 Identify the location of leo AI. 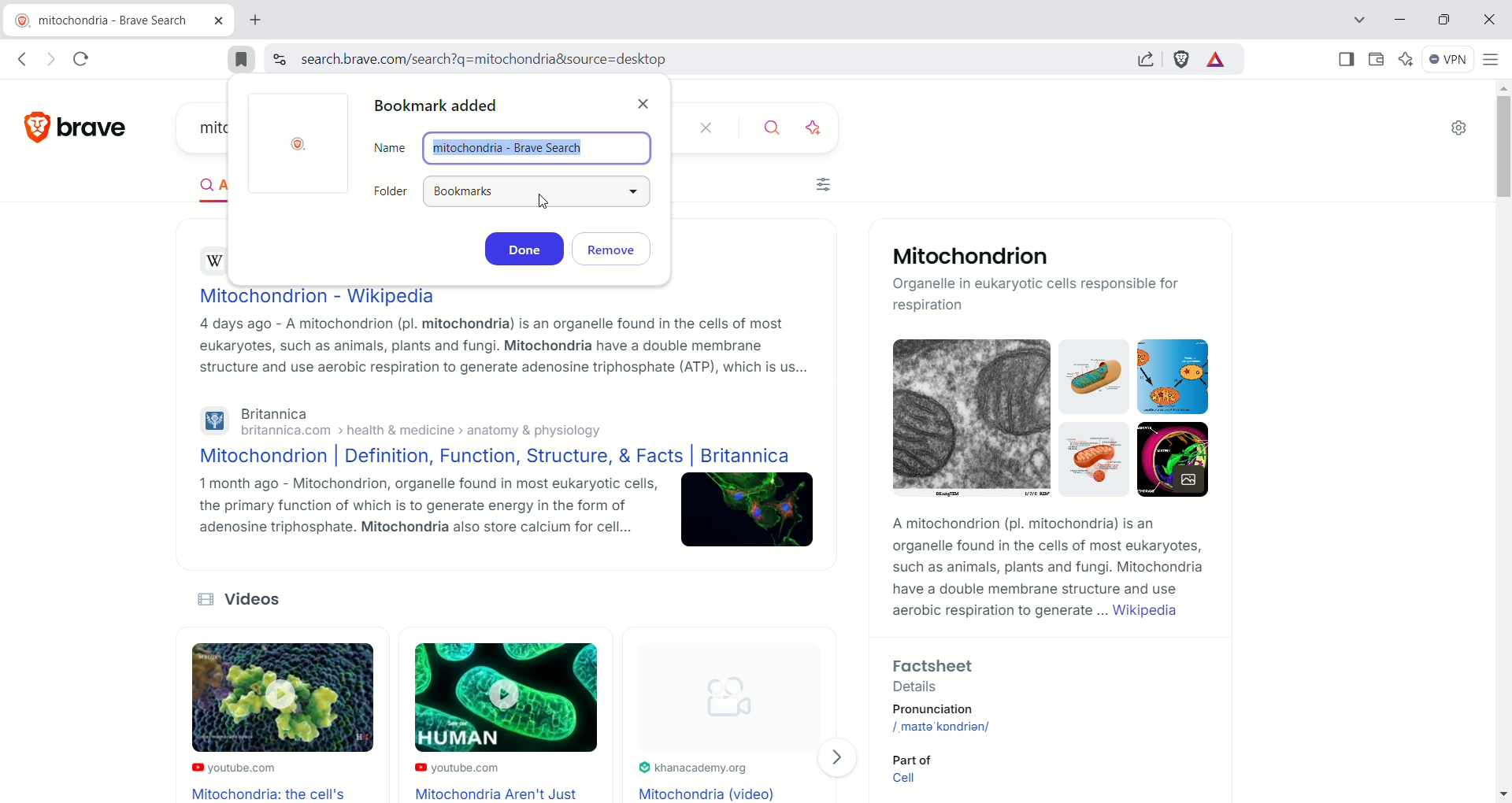
(1410, 59).